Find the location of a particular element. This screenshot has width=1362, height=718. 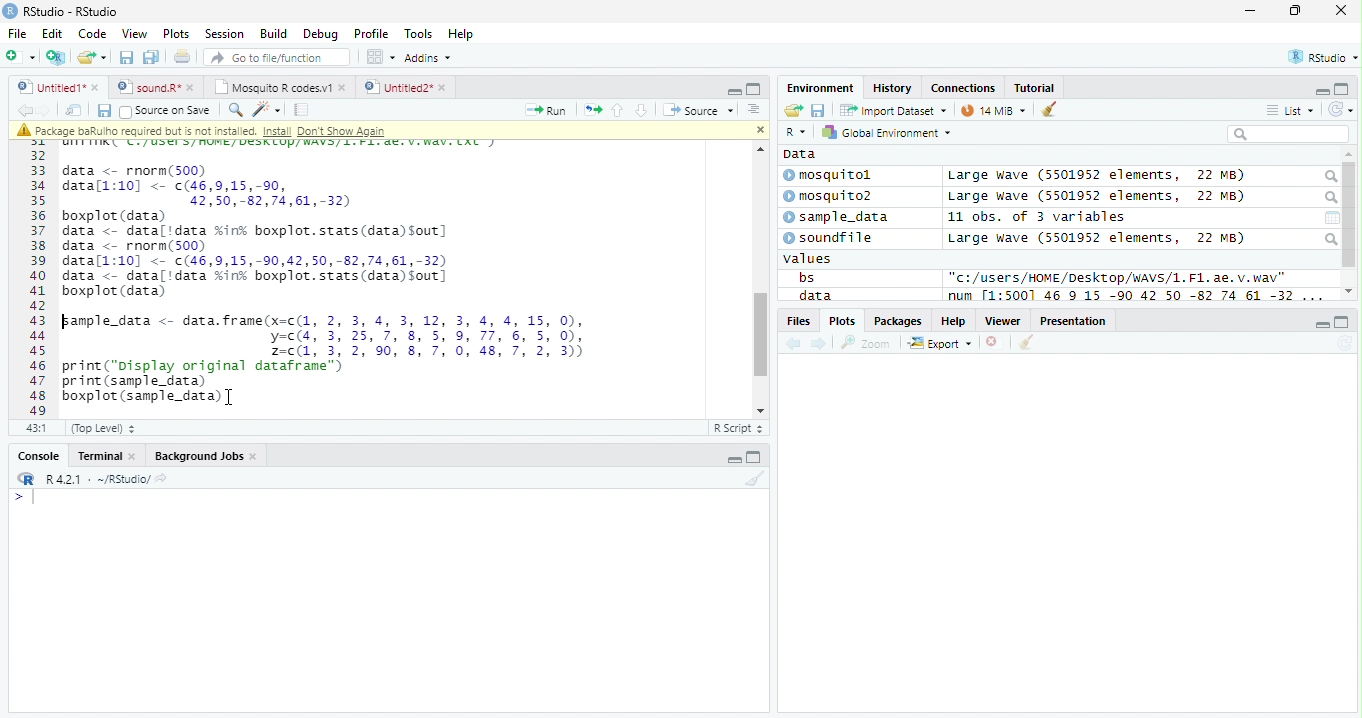

Packages is located at coordinates (899, 321).